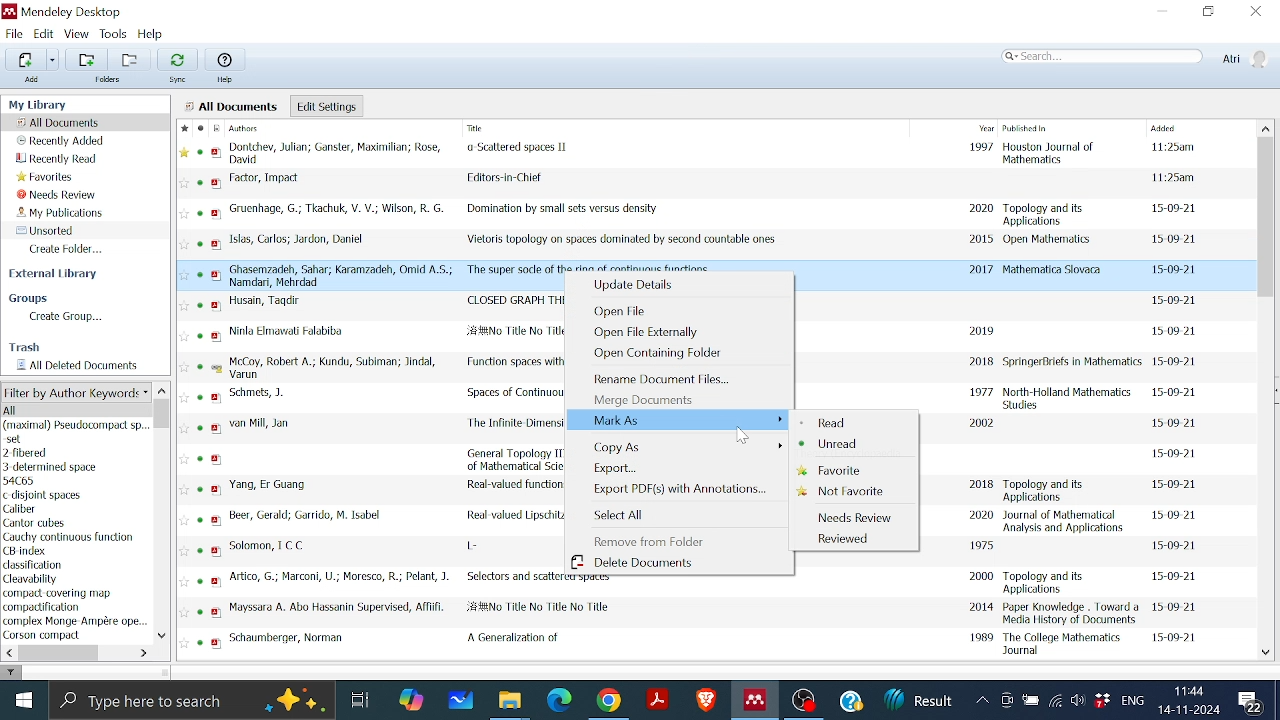 The image size is (1280, 720). I want to click on document, so click(1086, 580).